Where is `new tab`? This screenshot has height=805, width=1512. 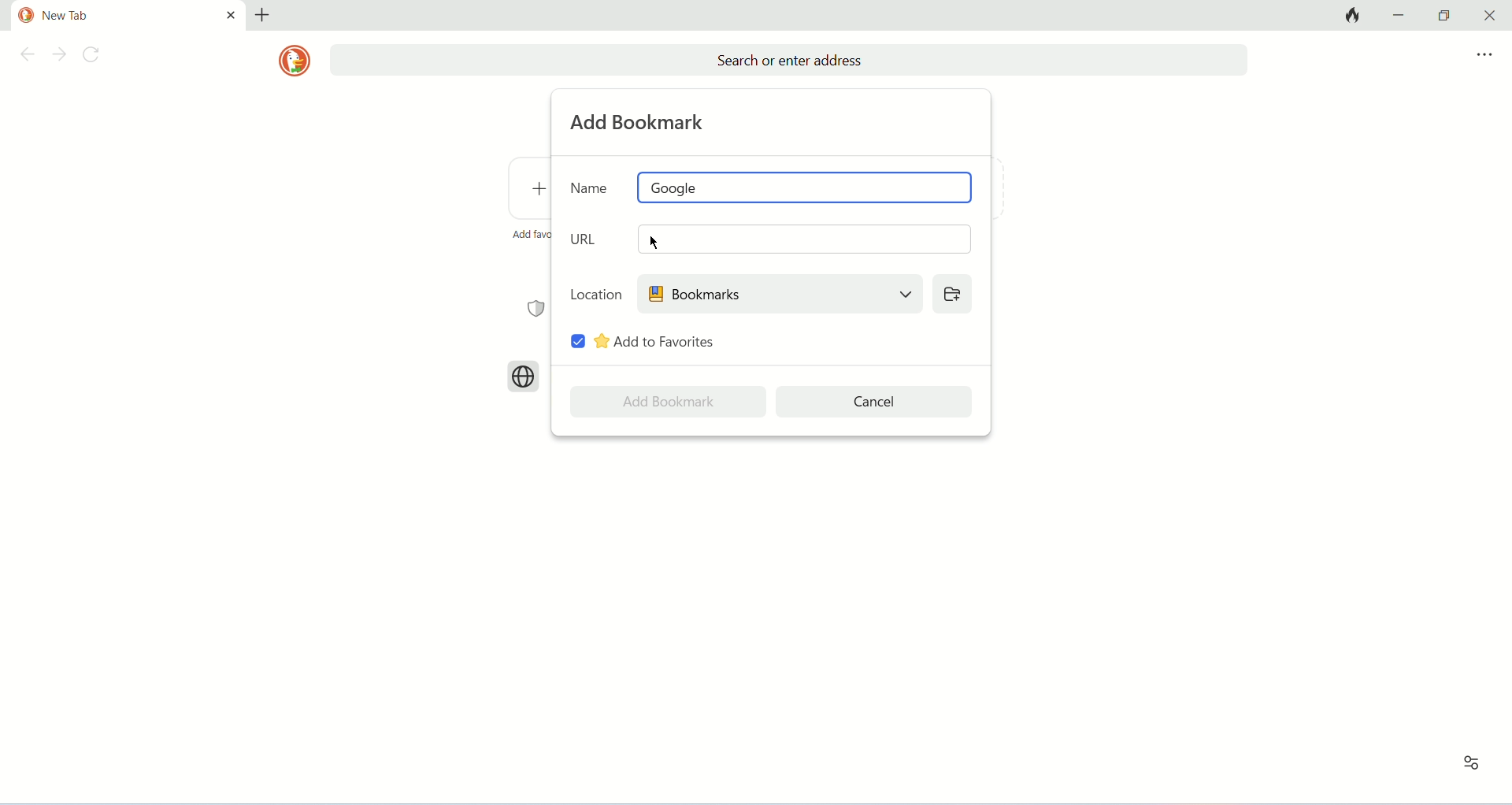 new tab is located at coordinates (262, 15).